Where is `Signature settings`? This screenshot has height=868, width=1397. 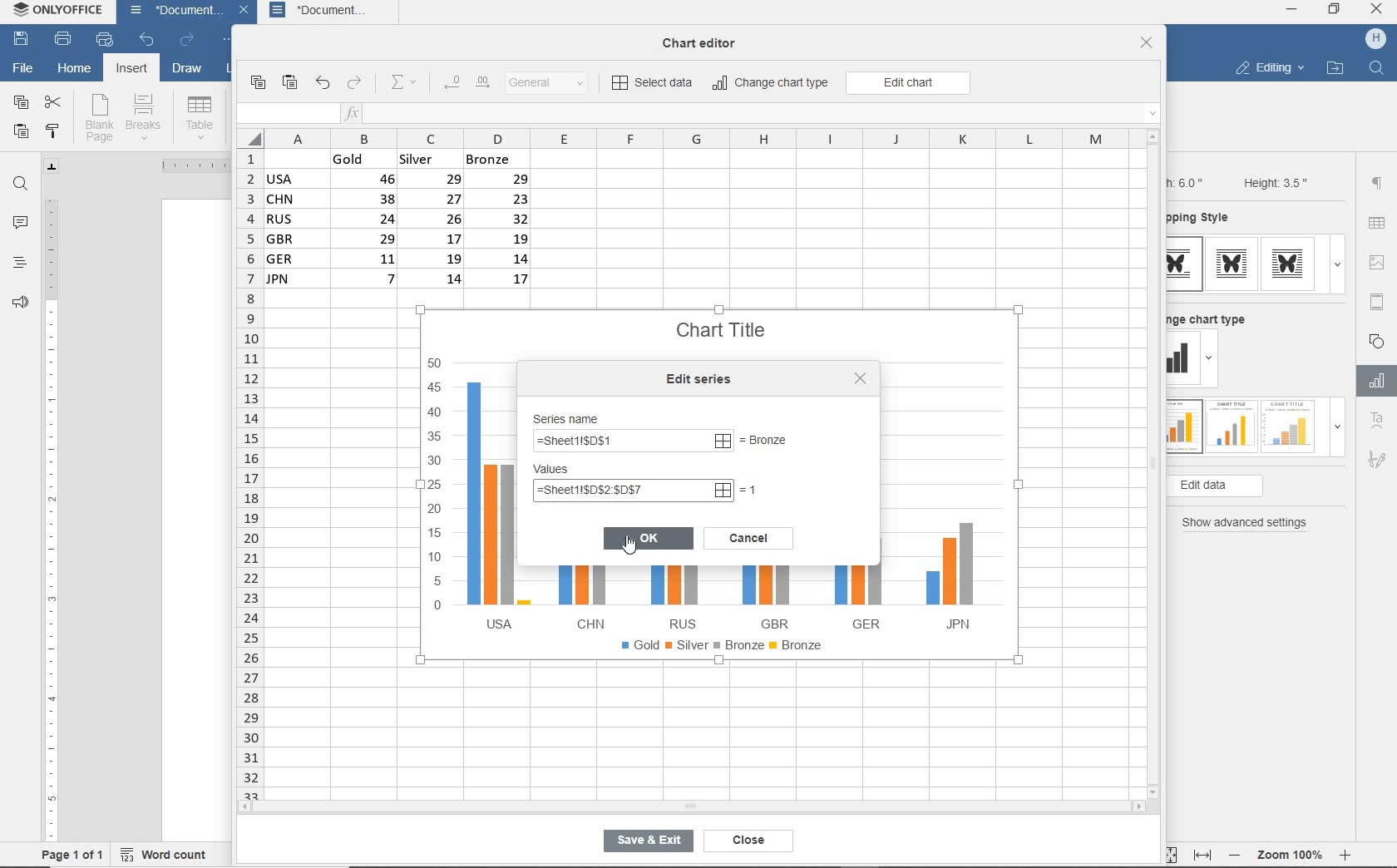 Signature settings is located at coordinates (1376, 463).